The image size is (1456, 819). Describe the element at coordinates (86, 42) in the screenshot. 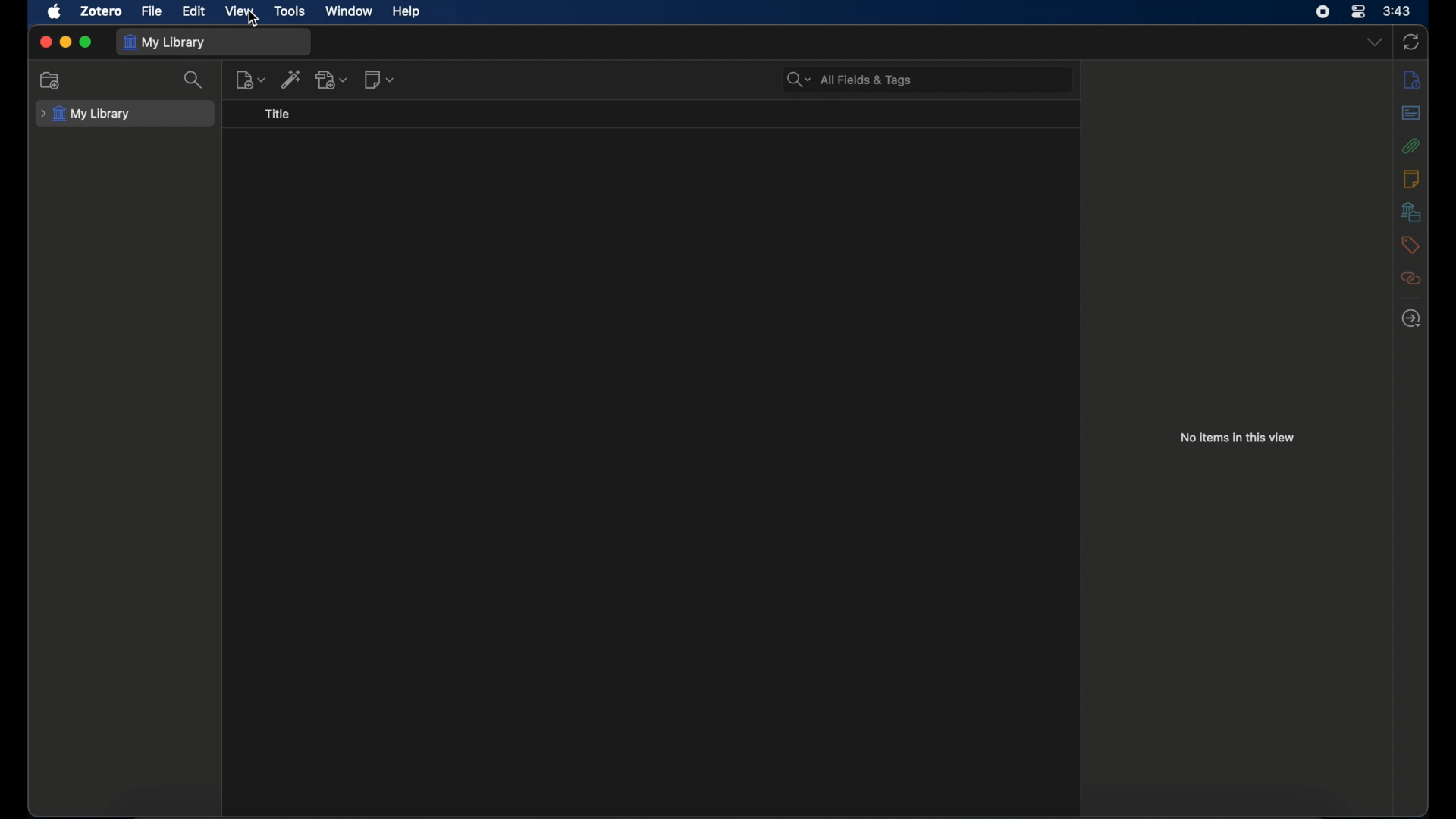

I see `maximize` at that location.